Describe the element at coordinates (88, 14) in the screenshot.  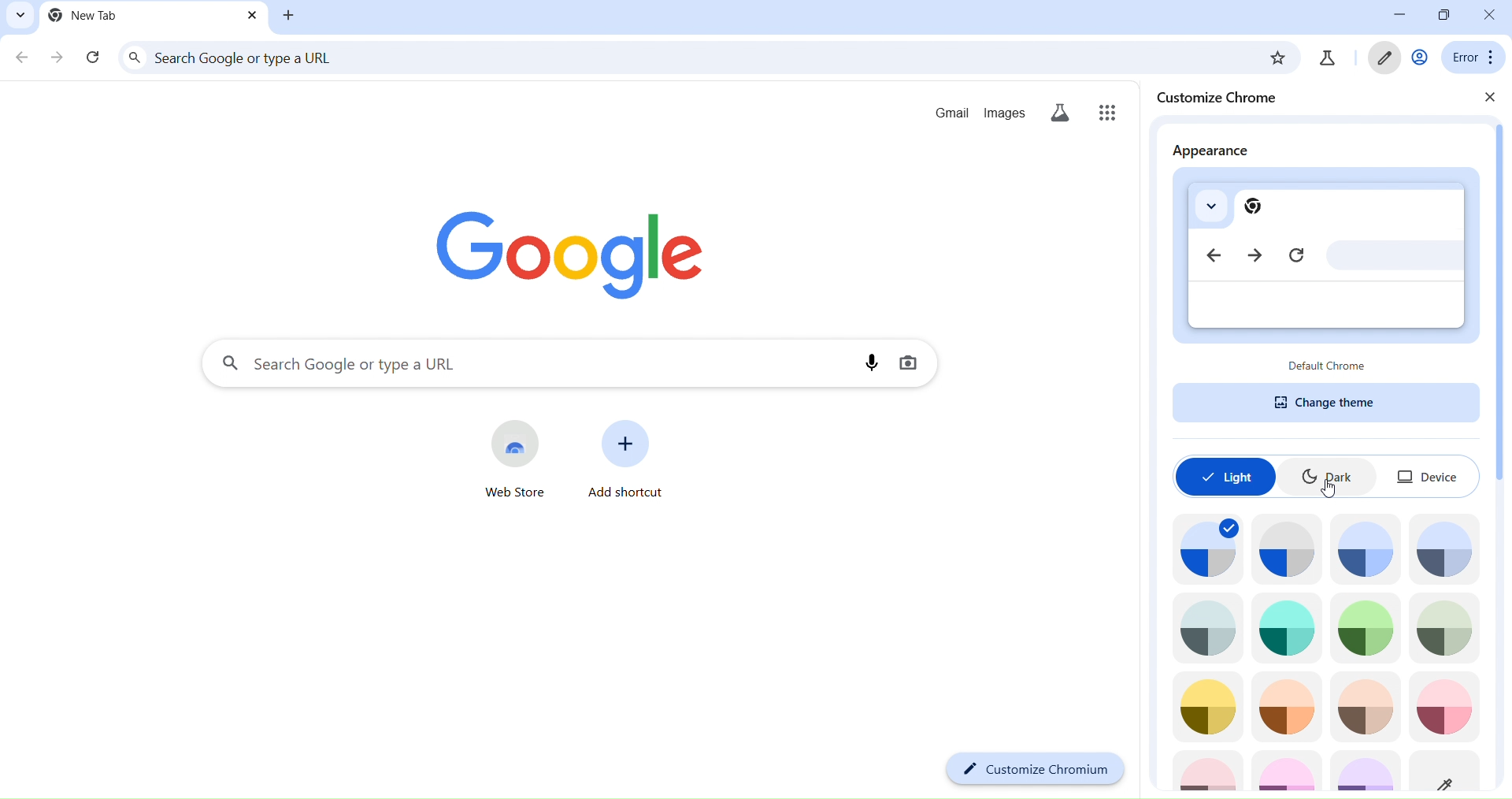
I see `current tab` at that location.